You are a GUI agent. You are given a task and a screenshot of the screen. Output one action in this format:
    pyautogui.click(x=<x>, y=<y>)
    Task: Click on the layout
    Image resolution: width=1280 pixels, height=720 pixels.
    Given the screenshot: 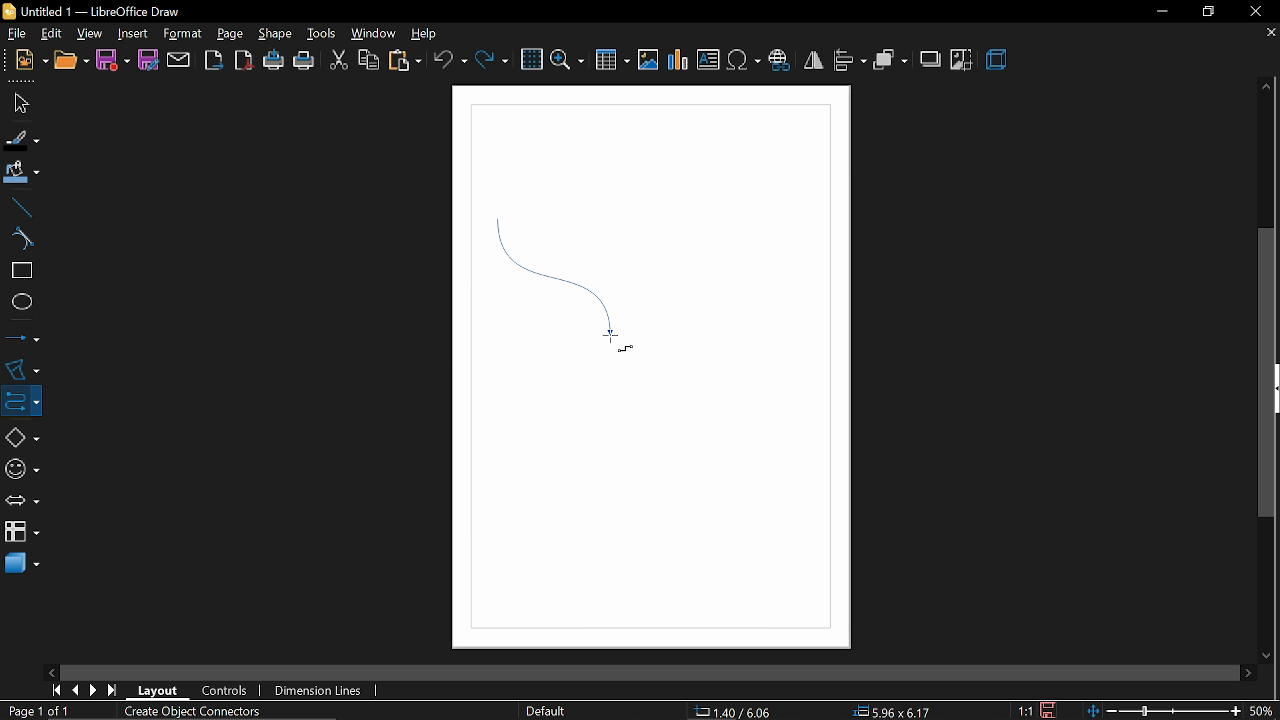 What is the action you would take?
    pyautogui.click(x=159, y=691)
    